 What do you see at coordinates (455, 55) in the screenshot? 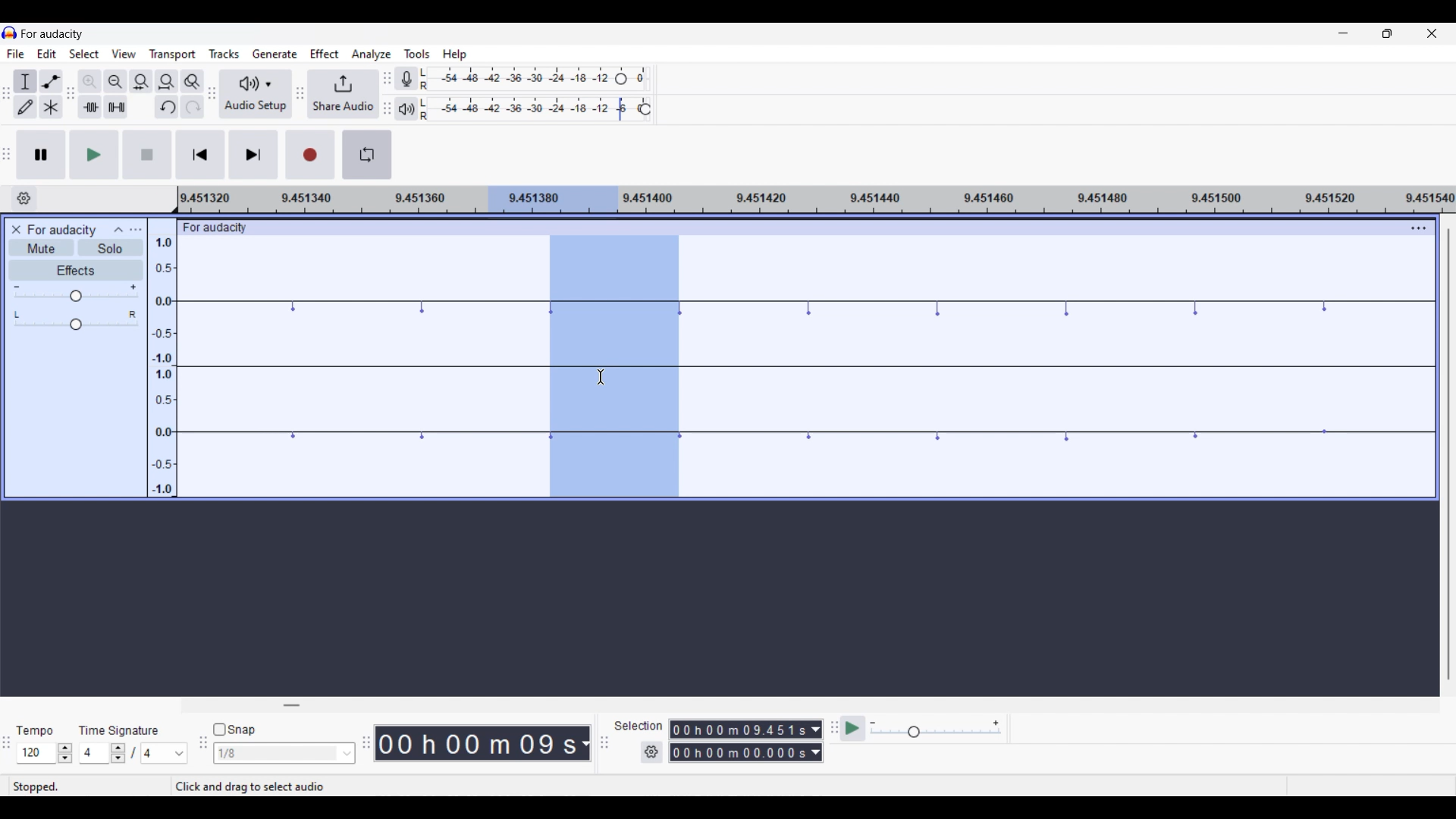
I see `Help menu` at bounding box center [455, 55].